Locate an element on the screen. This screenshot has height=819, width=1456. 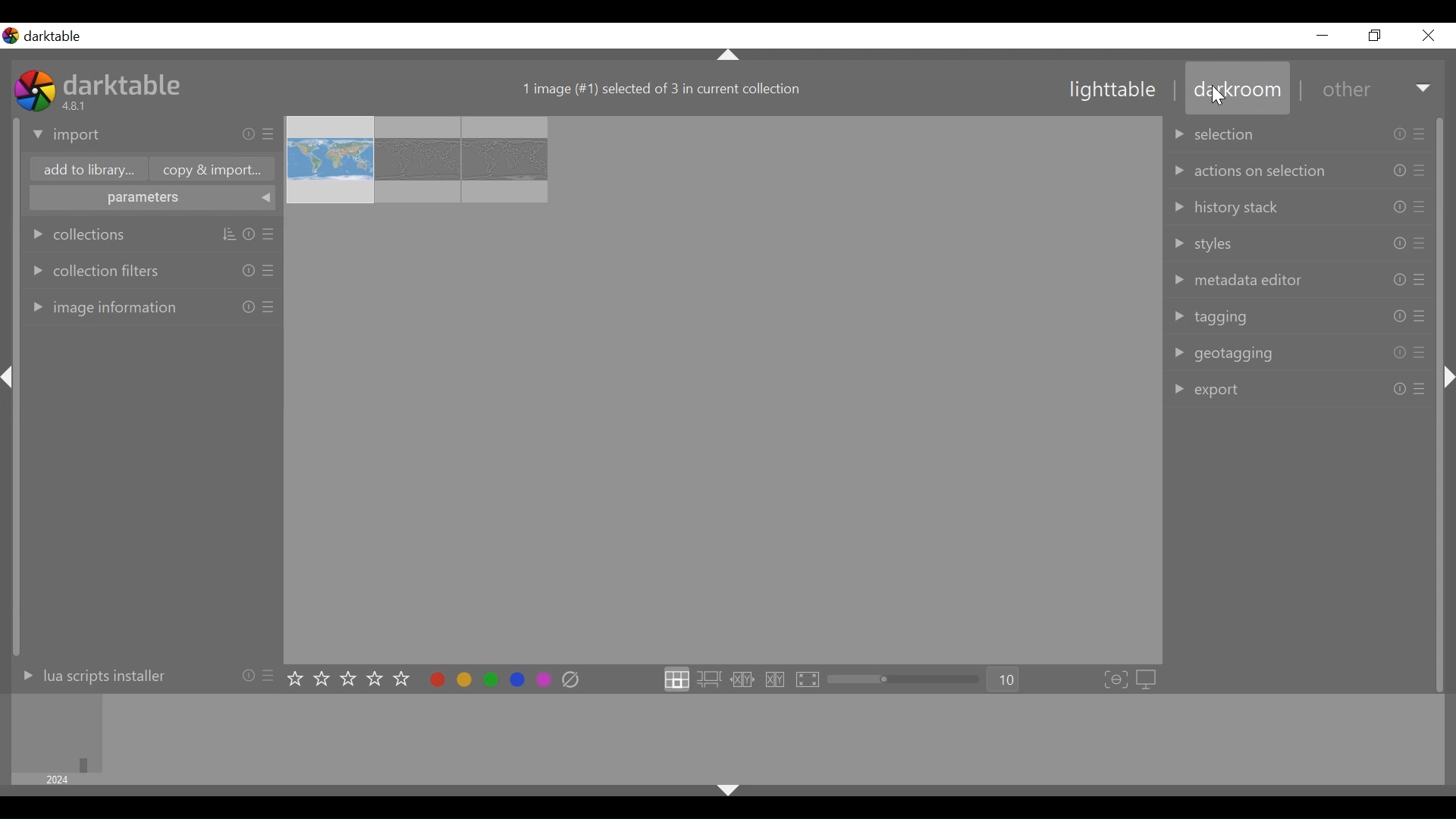
click to enter full preview mode  is located at coordinates (806, 679).